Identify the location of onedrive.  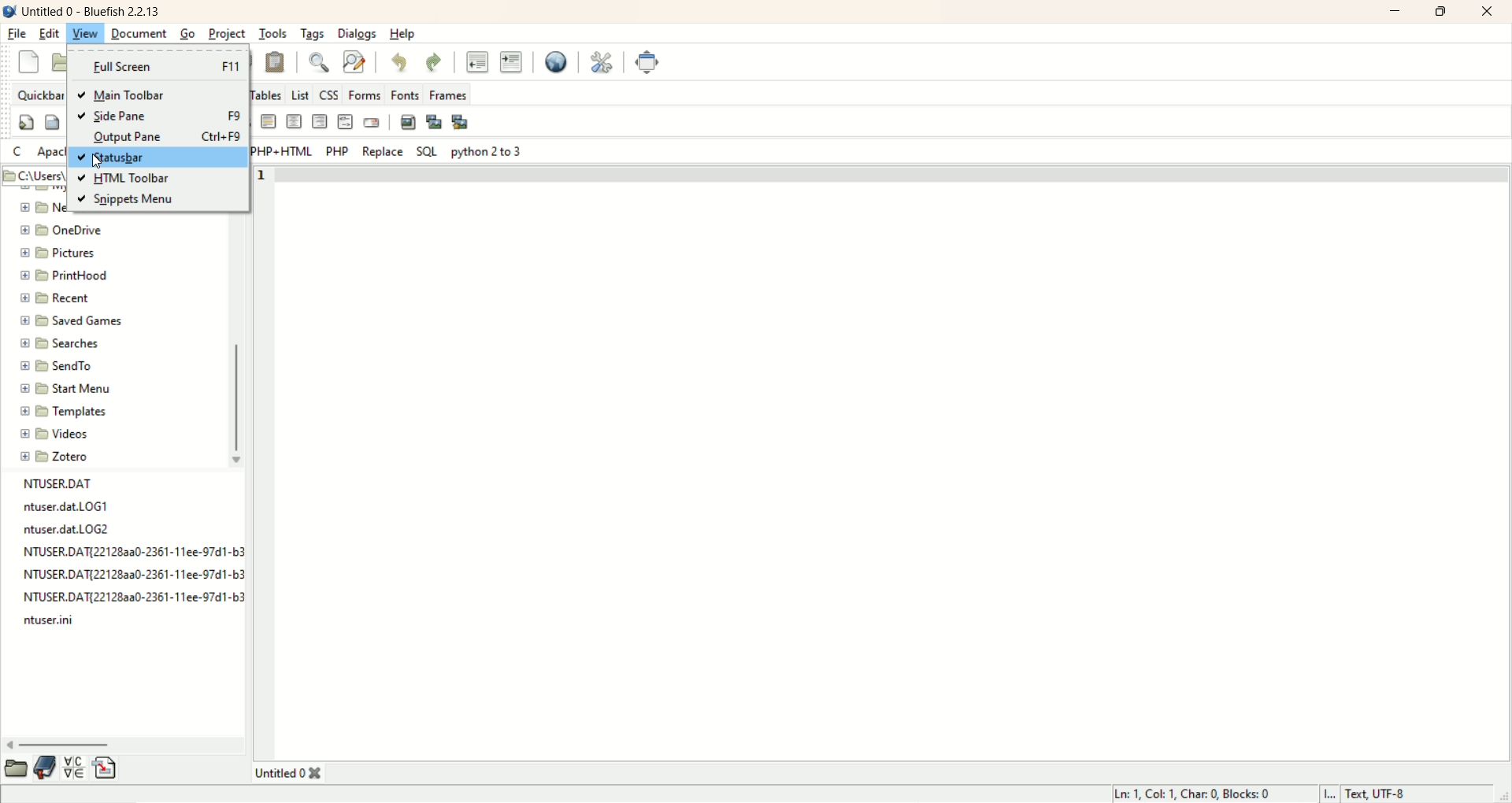
(65, 230).